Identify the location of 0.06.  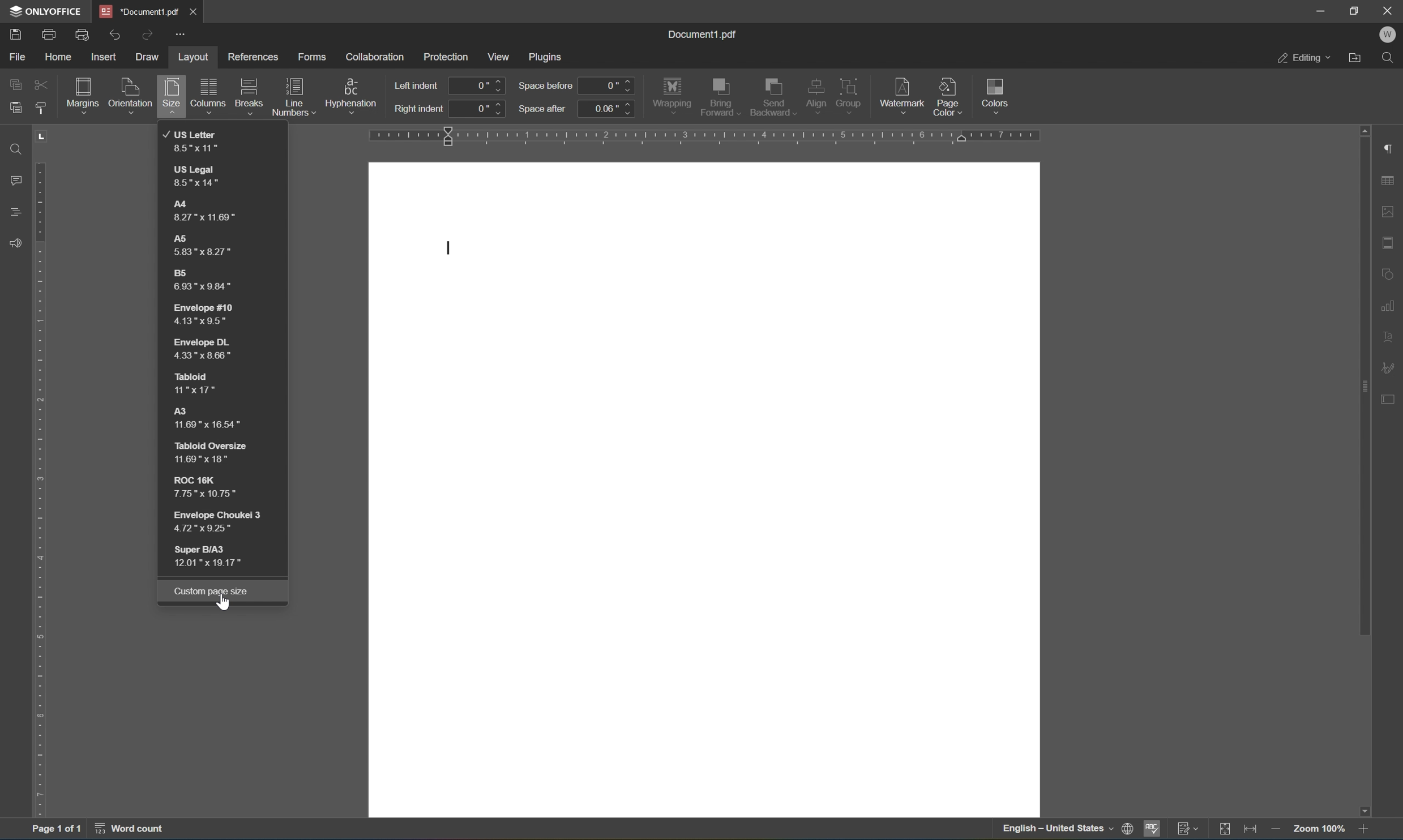
(607, 108).